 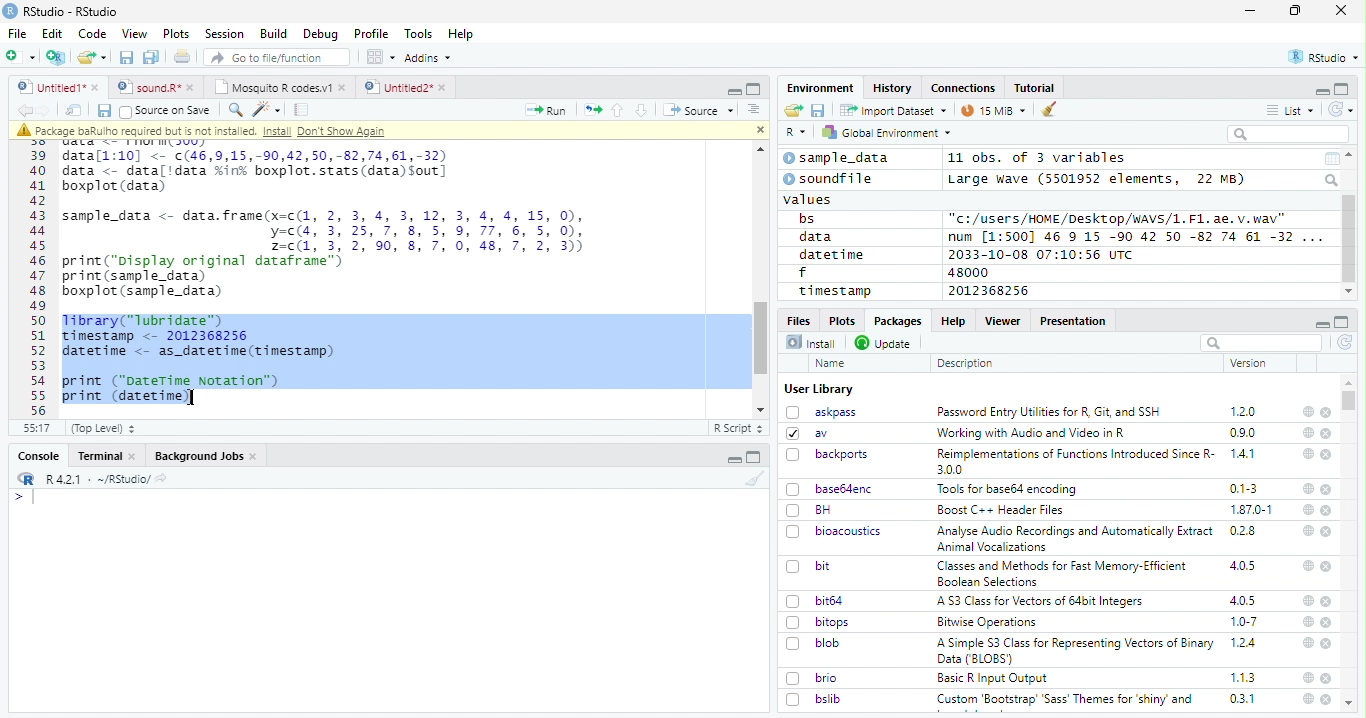 I want to click on A Simple S3 Class for Representing Vectors of Binary
Data (BLOBS), so click(x=1077, y=650).